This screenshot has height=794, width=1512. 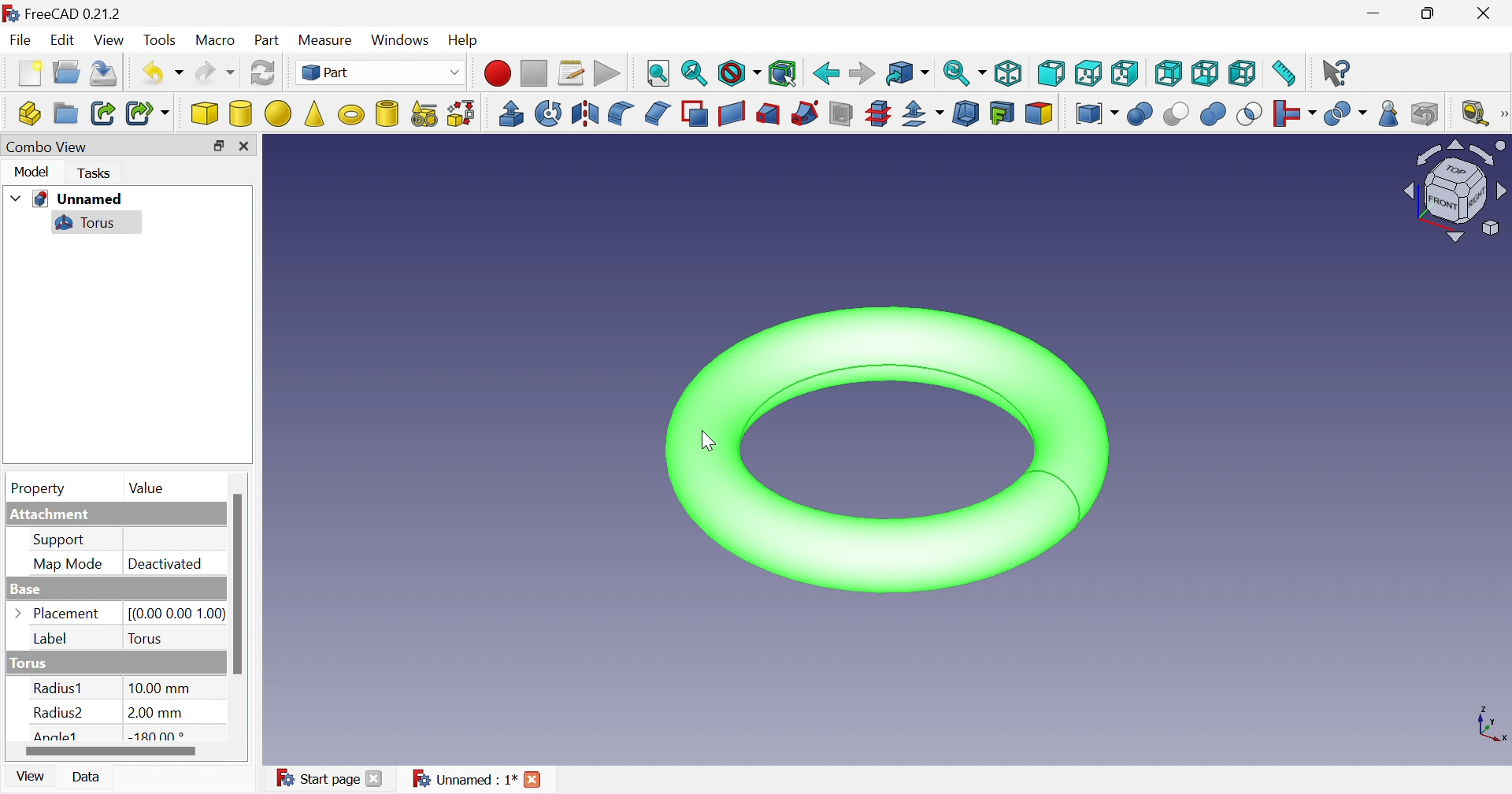 What do you see at coordinates (158, 688) in the screenshot?
I see `10.00 mm` at bounding box center [158, 688].